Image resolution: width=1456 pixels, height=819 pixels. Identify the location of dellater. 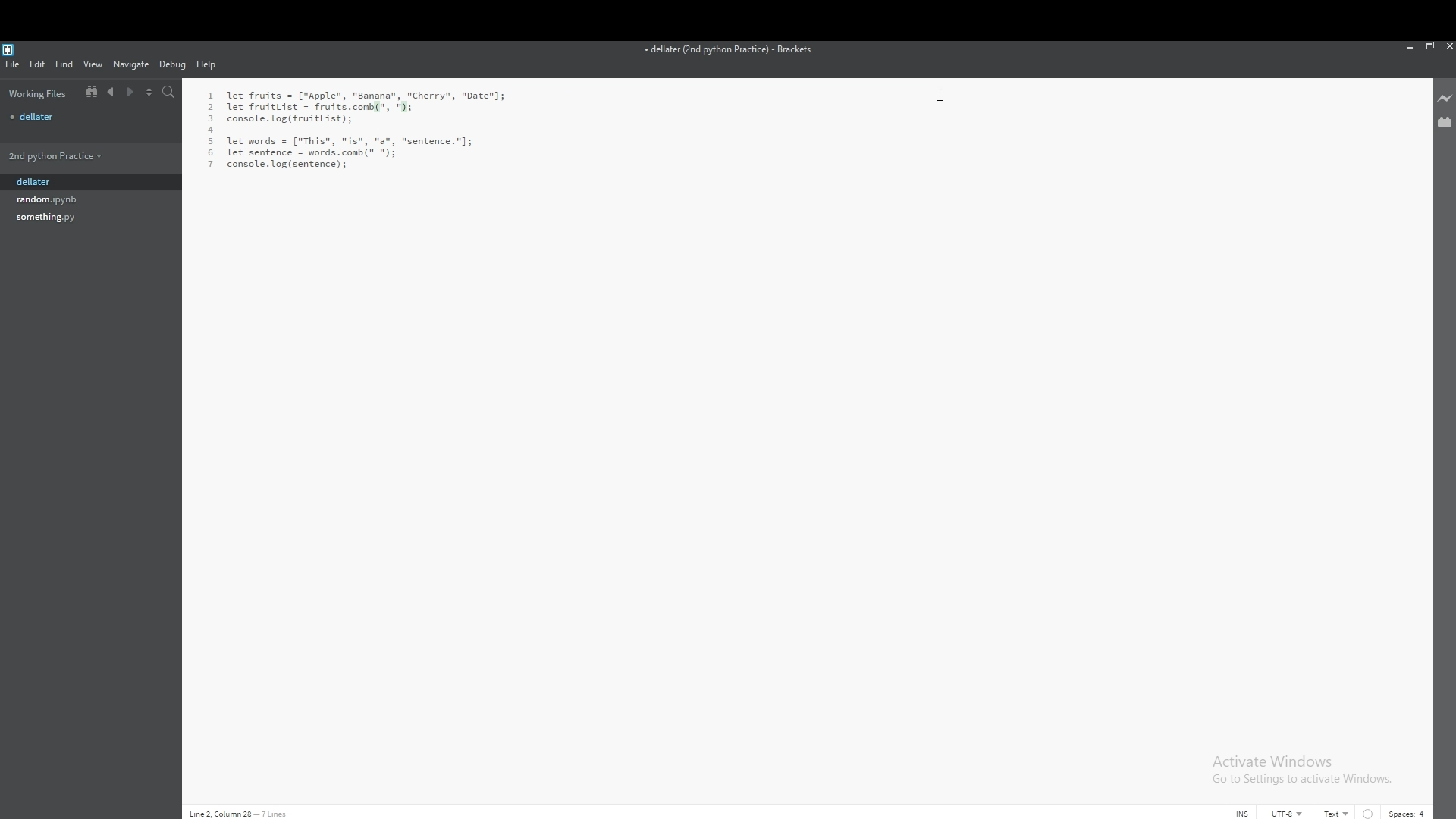
(71, 183).